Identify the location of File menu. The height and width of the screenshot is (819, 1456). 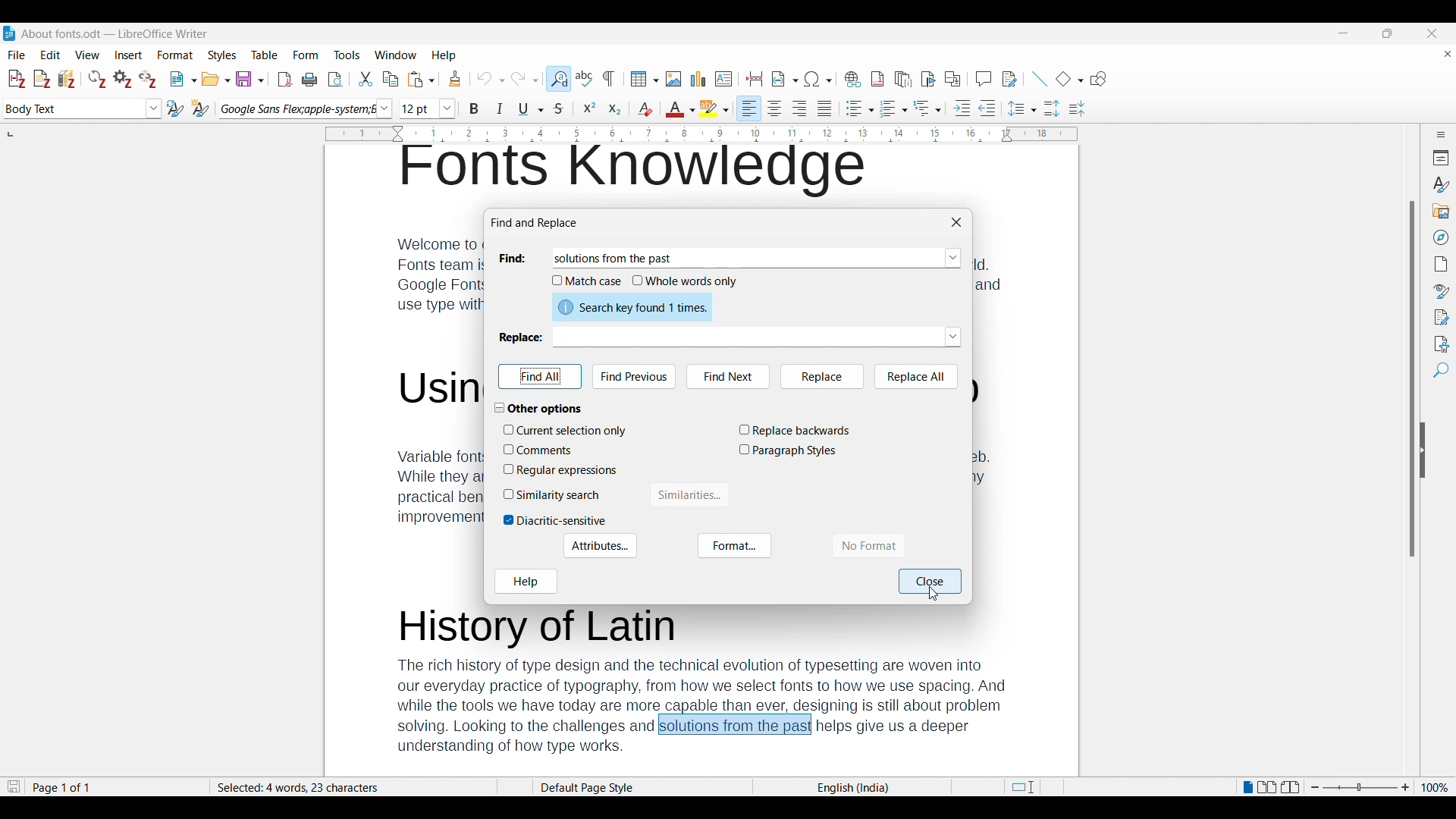
(17, 55).